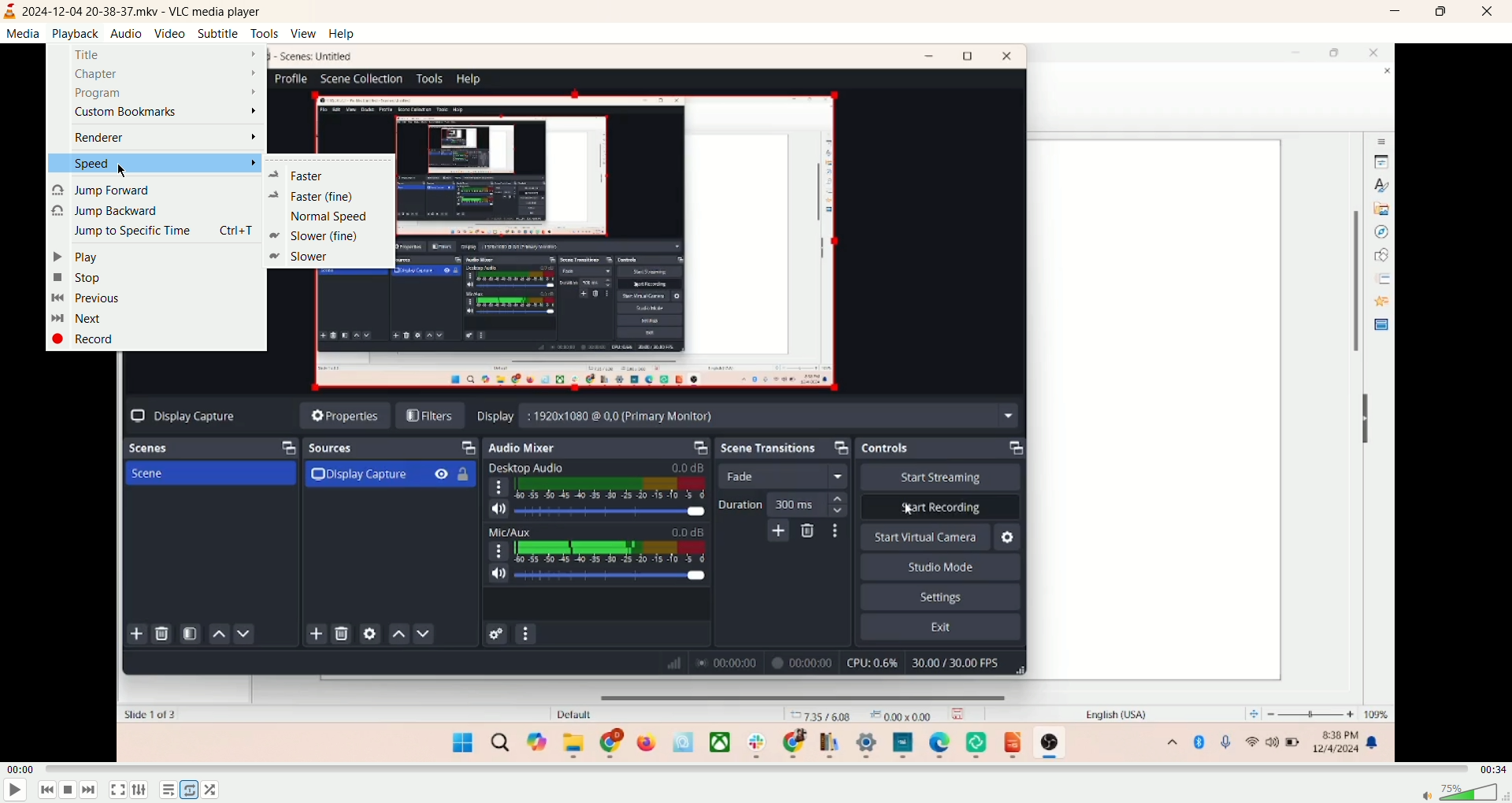 Image resolution: width=1512 pixels, height=803 pixels. I want to click on stop, so click(70, 790).